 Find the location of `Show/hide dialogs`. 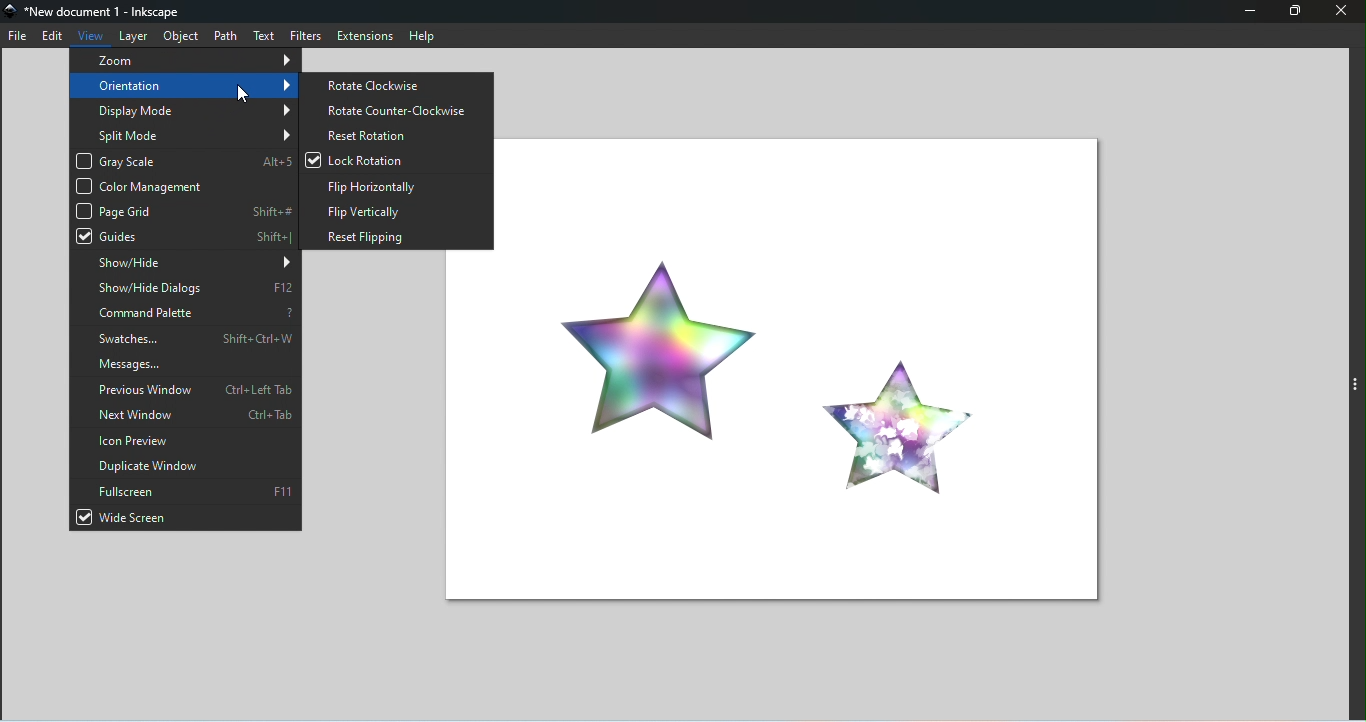

Show/hide dialogs is located at coordinates (187, 288).